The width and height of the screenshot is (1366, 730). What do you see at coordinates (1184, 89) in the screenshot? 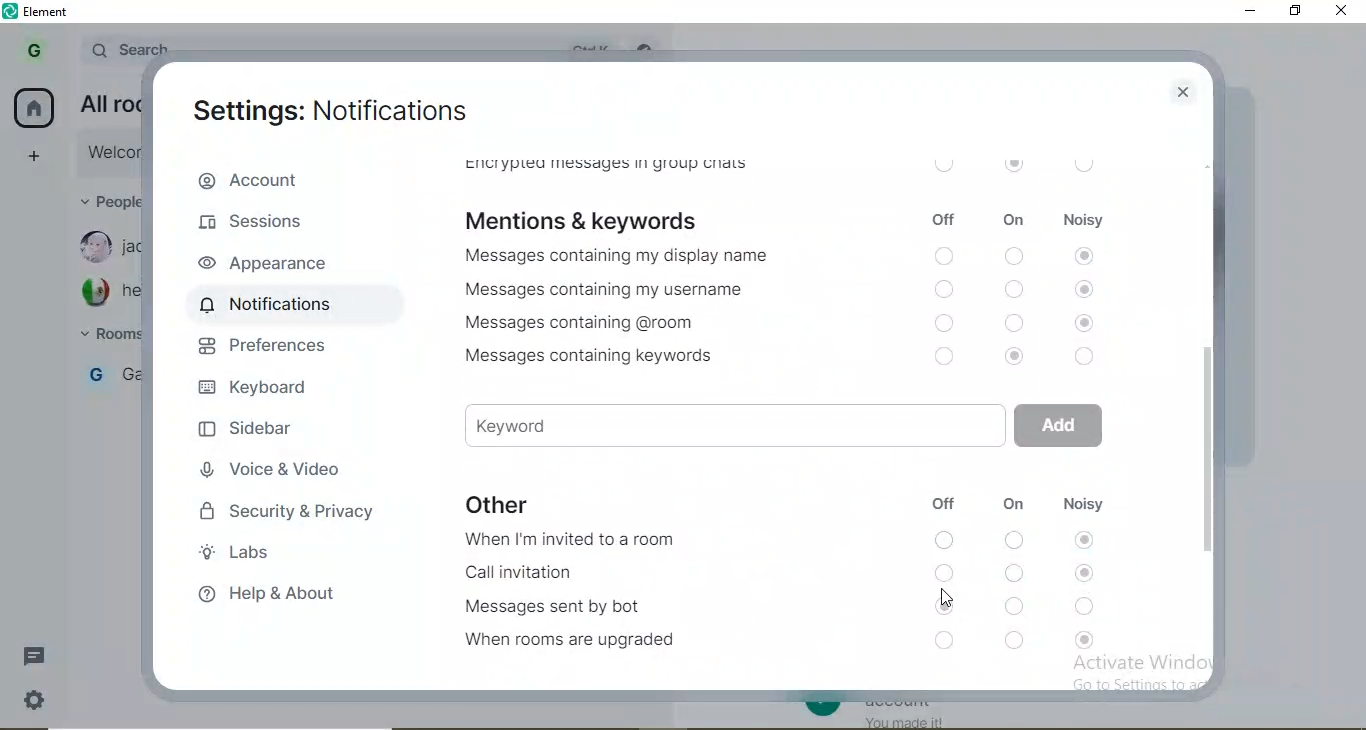
I see `close` at bounding box center [1184, 89].